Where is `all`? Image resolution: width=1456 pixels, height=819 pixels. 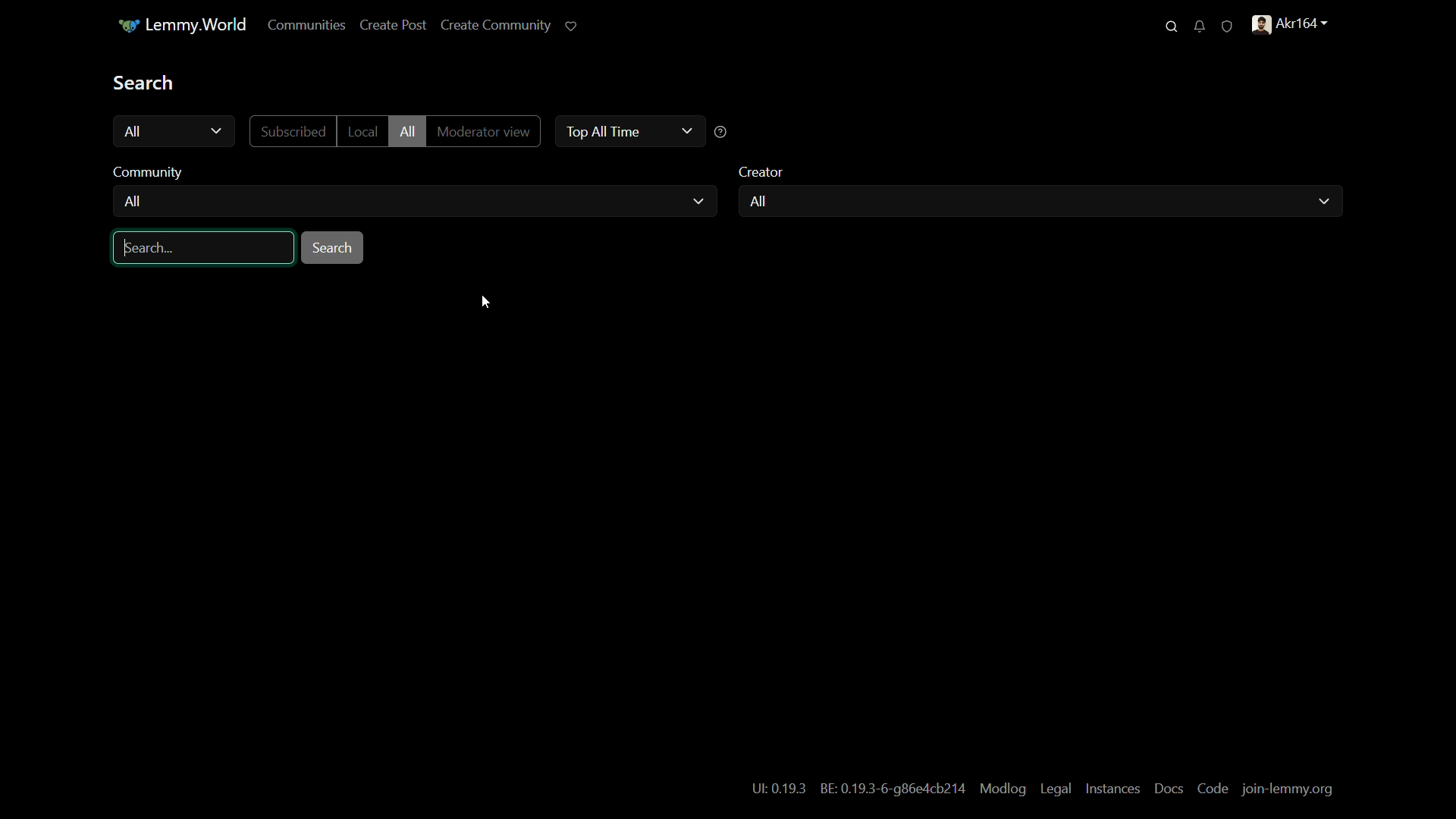 all is located at coordinates (757, 202).